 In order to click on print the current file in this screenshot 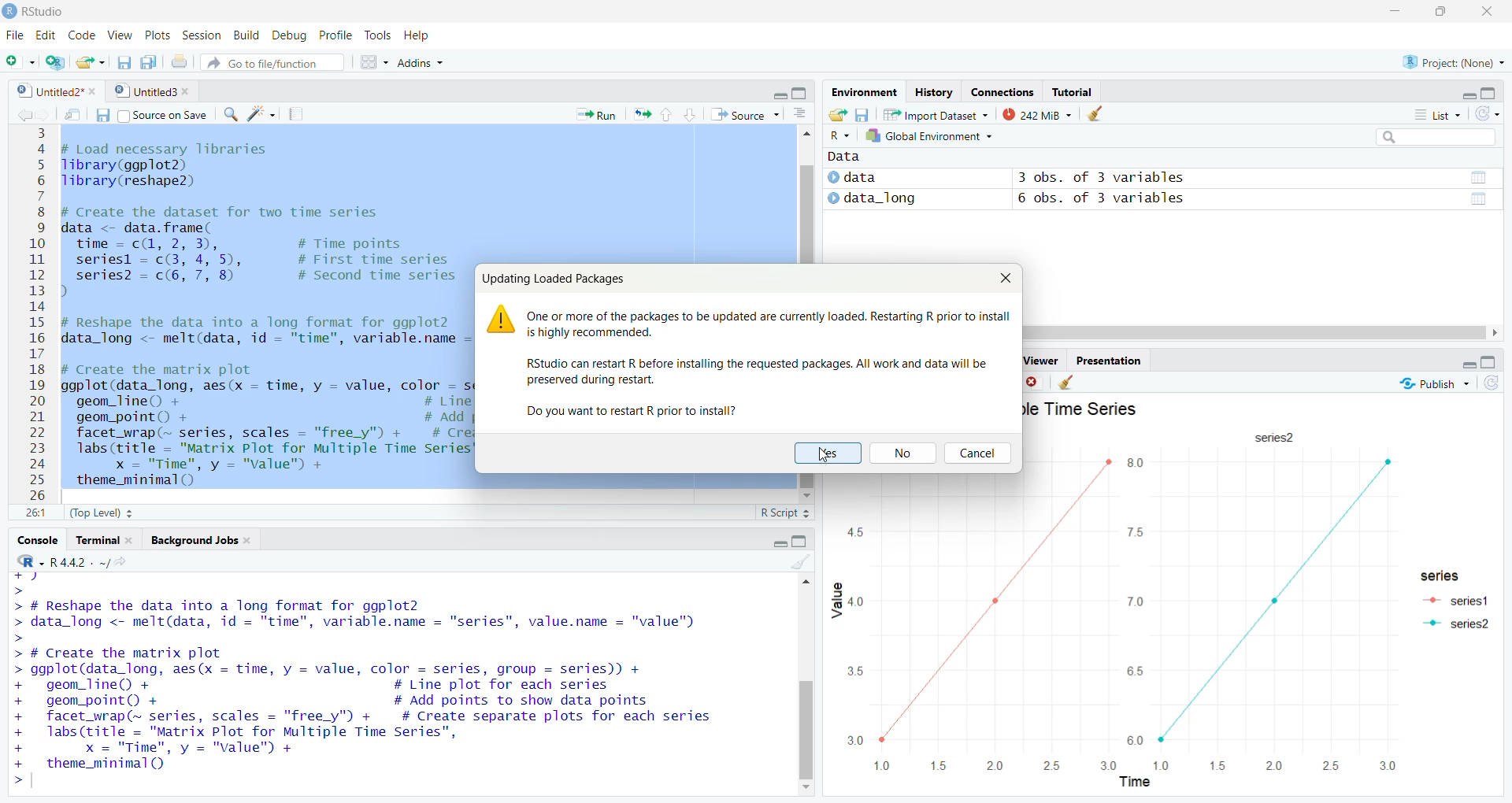, I will do `click(177, 61)`.